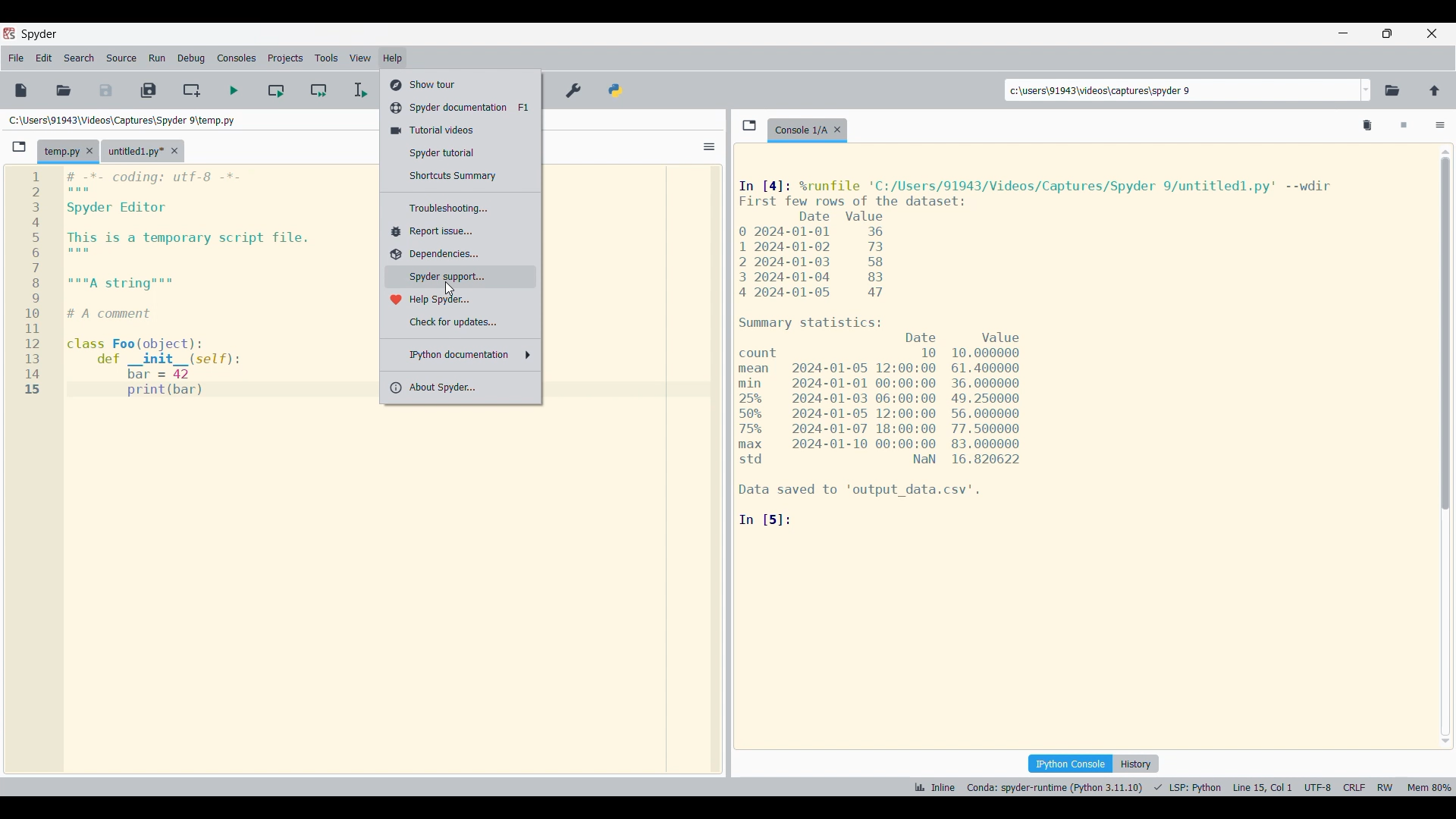  Describe the element at coordinates (573, 90) in the screenshot. I see `Preferences` at that location.